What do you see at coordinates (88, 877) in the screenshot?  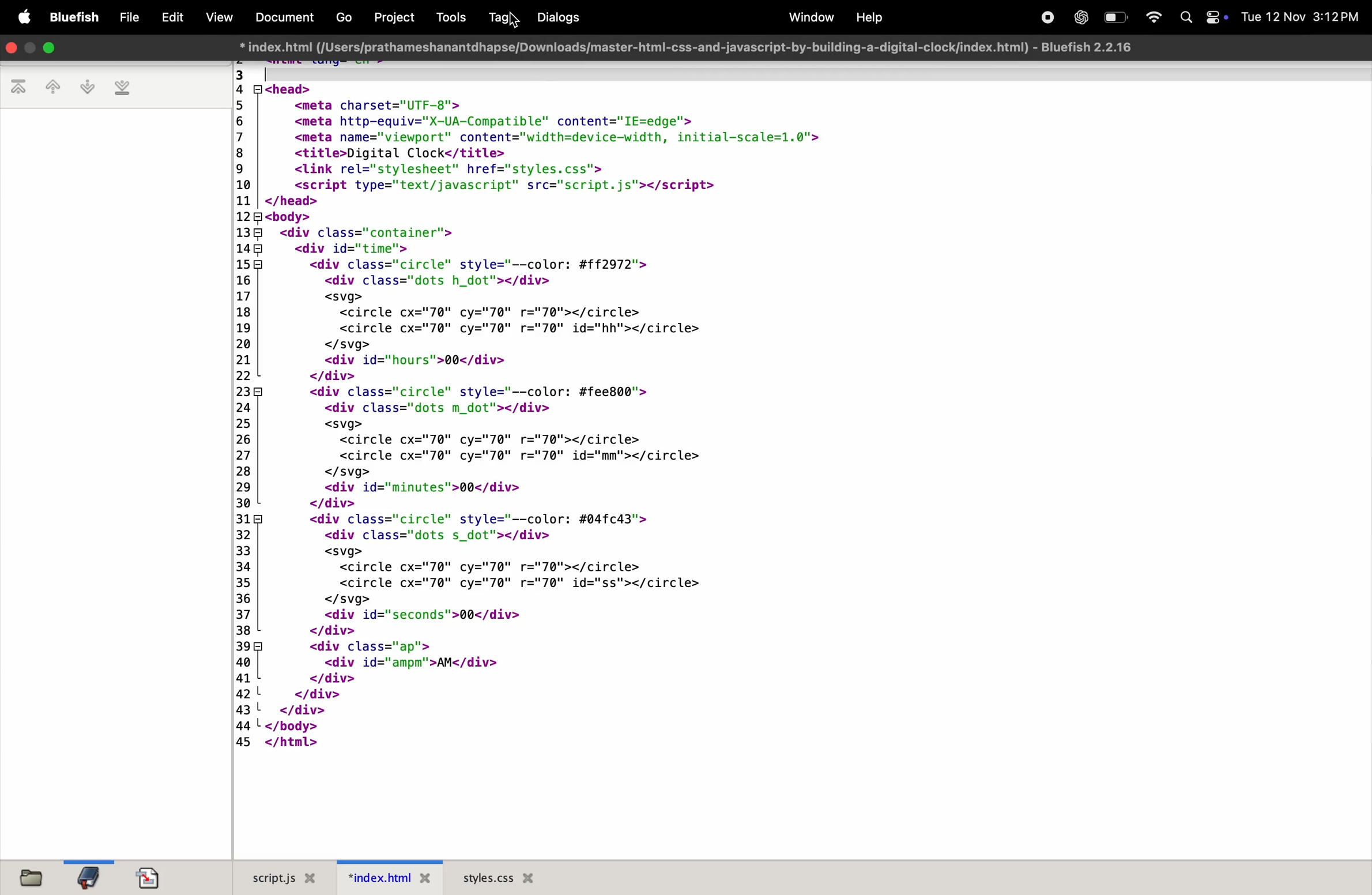 I see `bookmark` at bounding box center [88, 877].